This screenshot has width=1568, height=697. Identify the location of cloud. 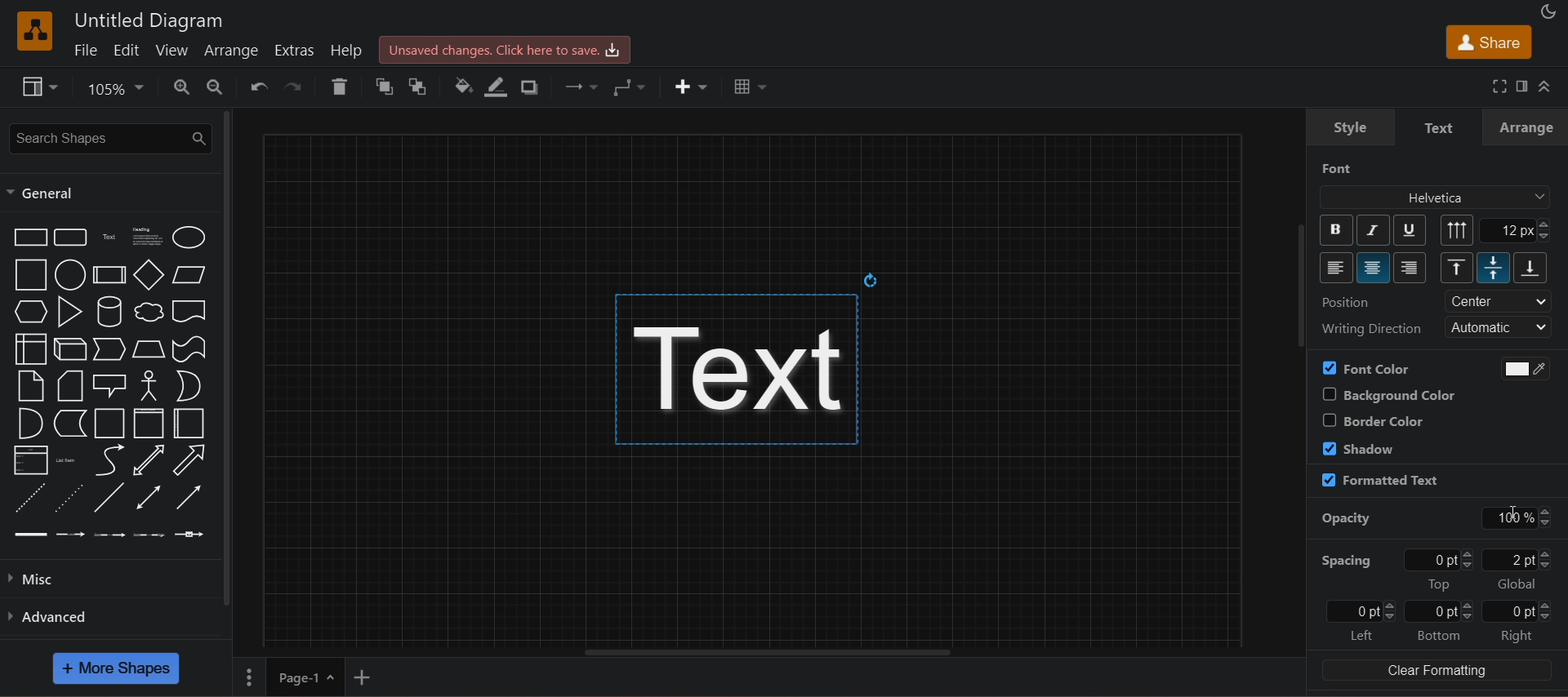
(149, 313).